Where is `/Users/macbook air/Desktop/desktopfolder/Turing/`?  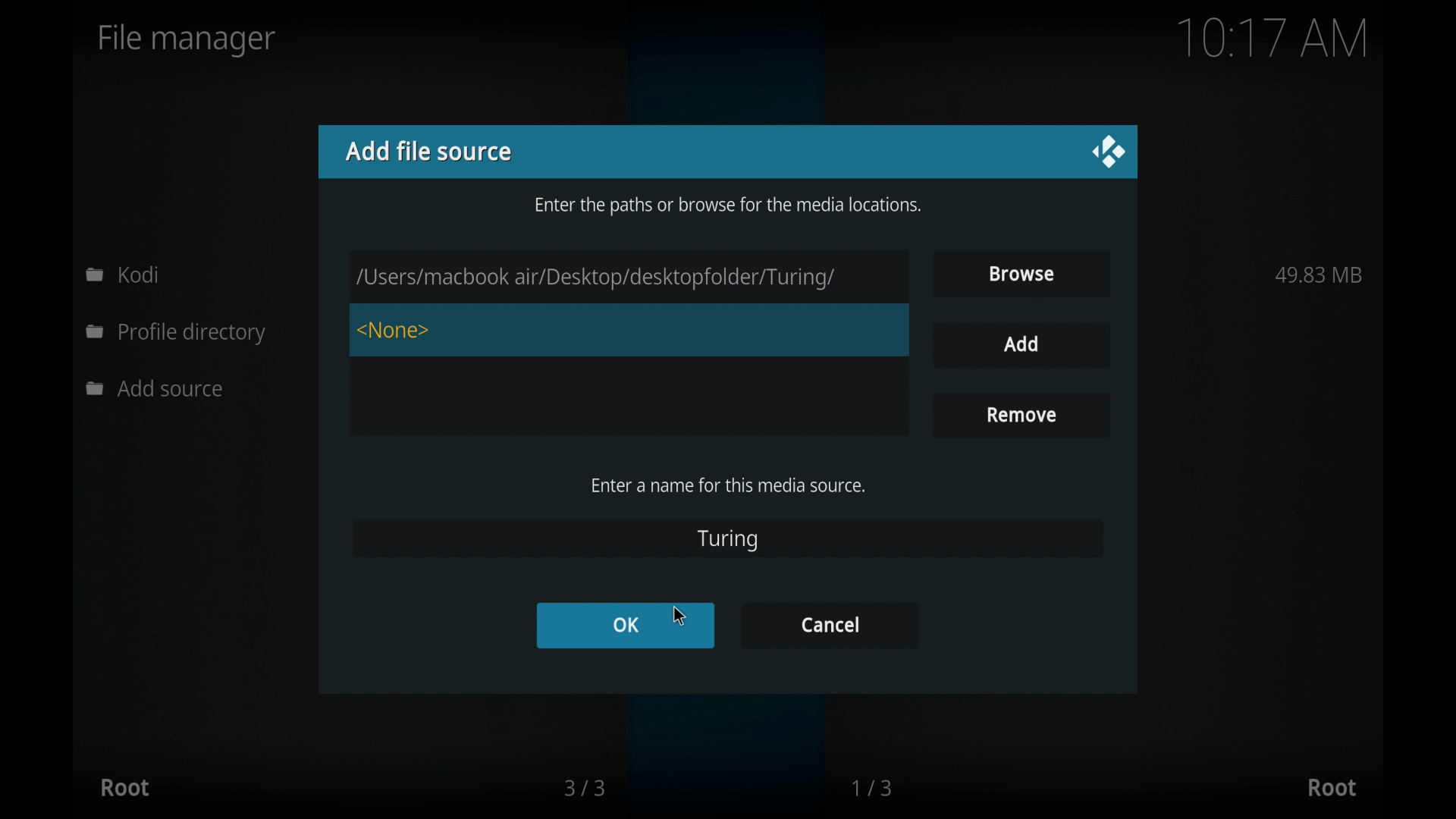
/Users/macbook air/Desktop/desktopfolder/Turing/ is located at coordinates (626, 278).